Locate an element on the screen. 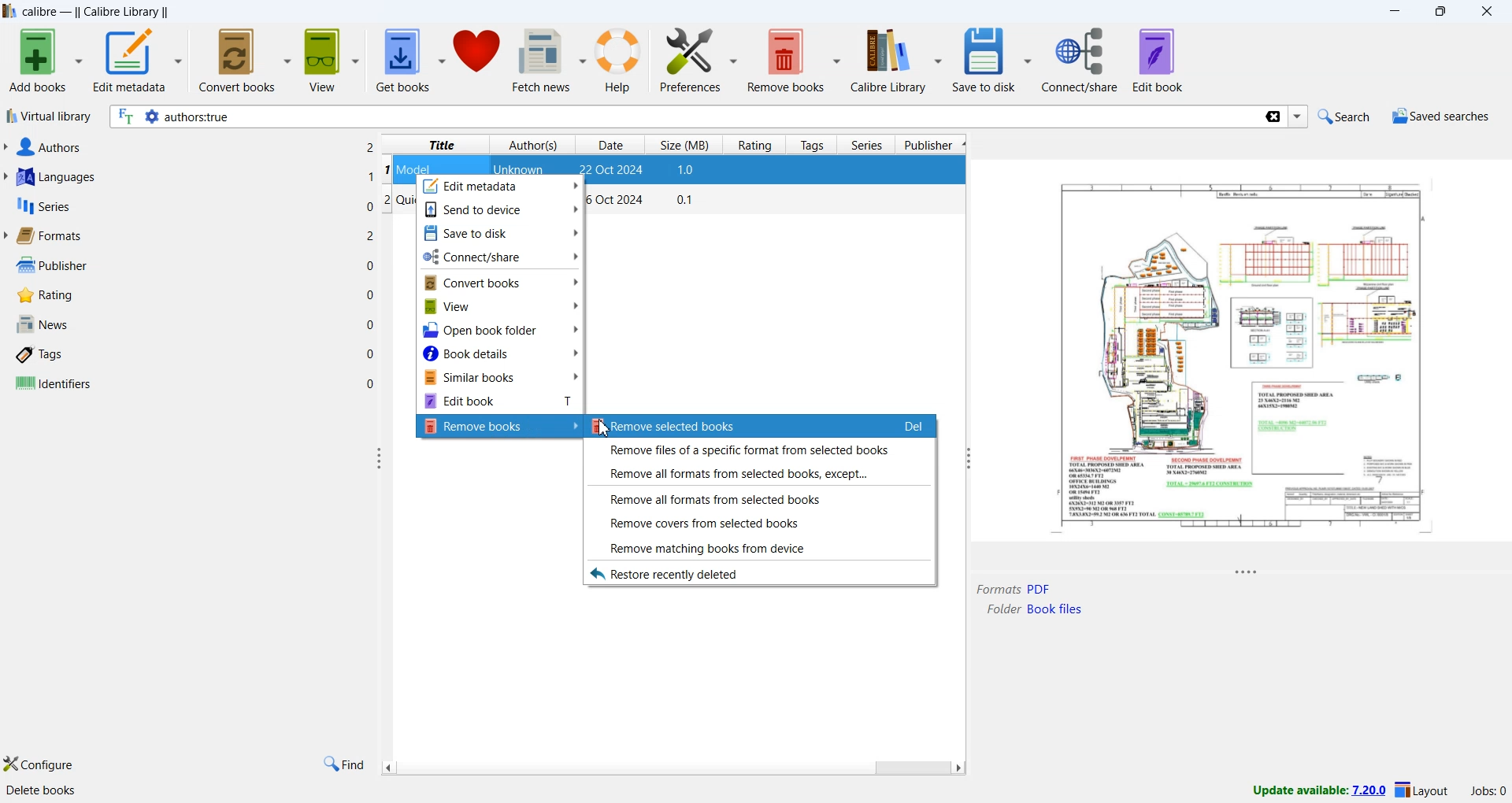  Remove covers from selected books is located at coordinates (761, 524).